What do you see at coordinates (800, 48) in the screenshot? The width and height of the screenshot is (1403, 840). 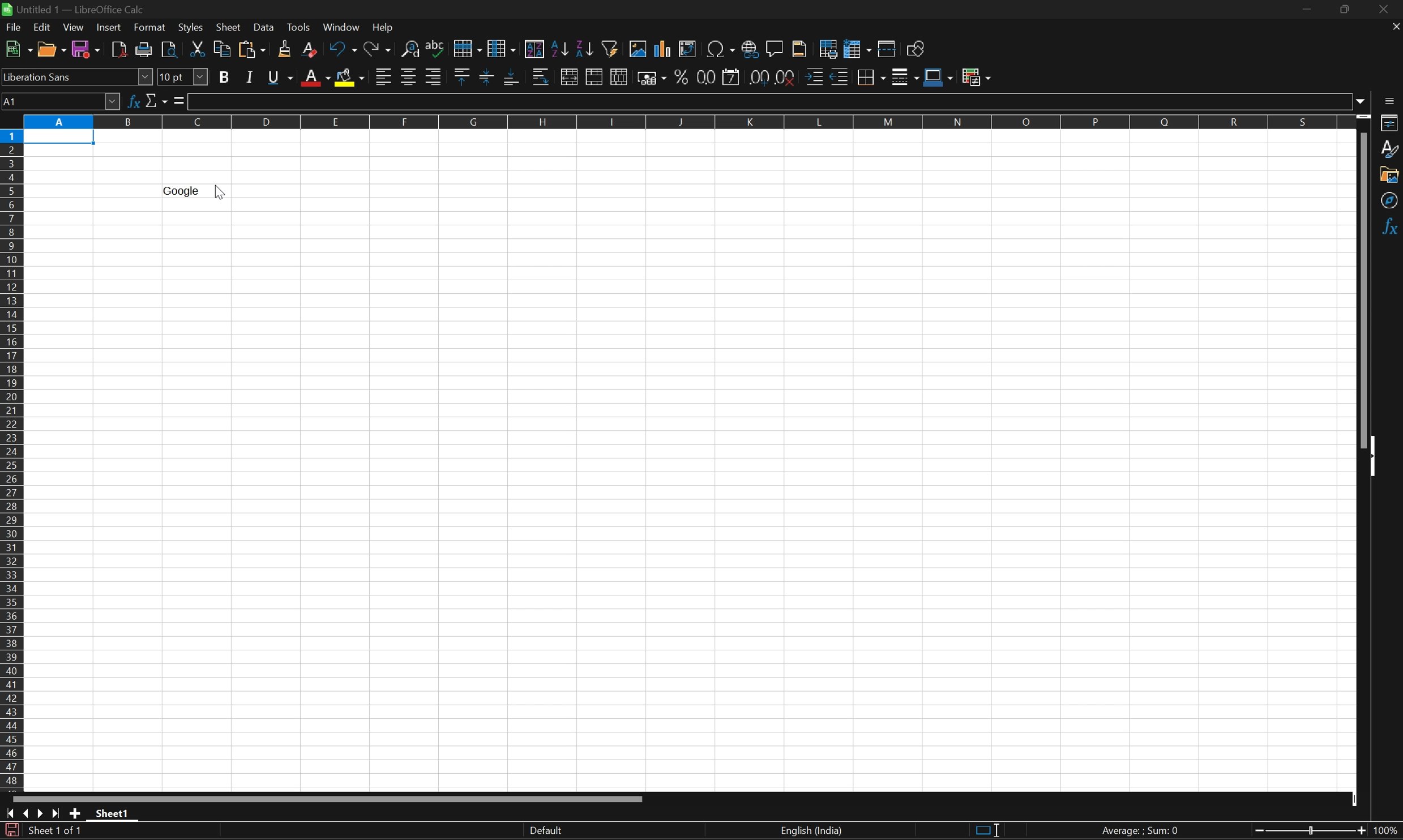 I see `Headers and footers` at bounding box center [800, 48].